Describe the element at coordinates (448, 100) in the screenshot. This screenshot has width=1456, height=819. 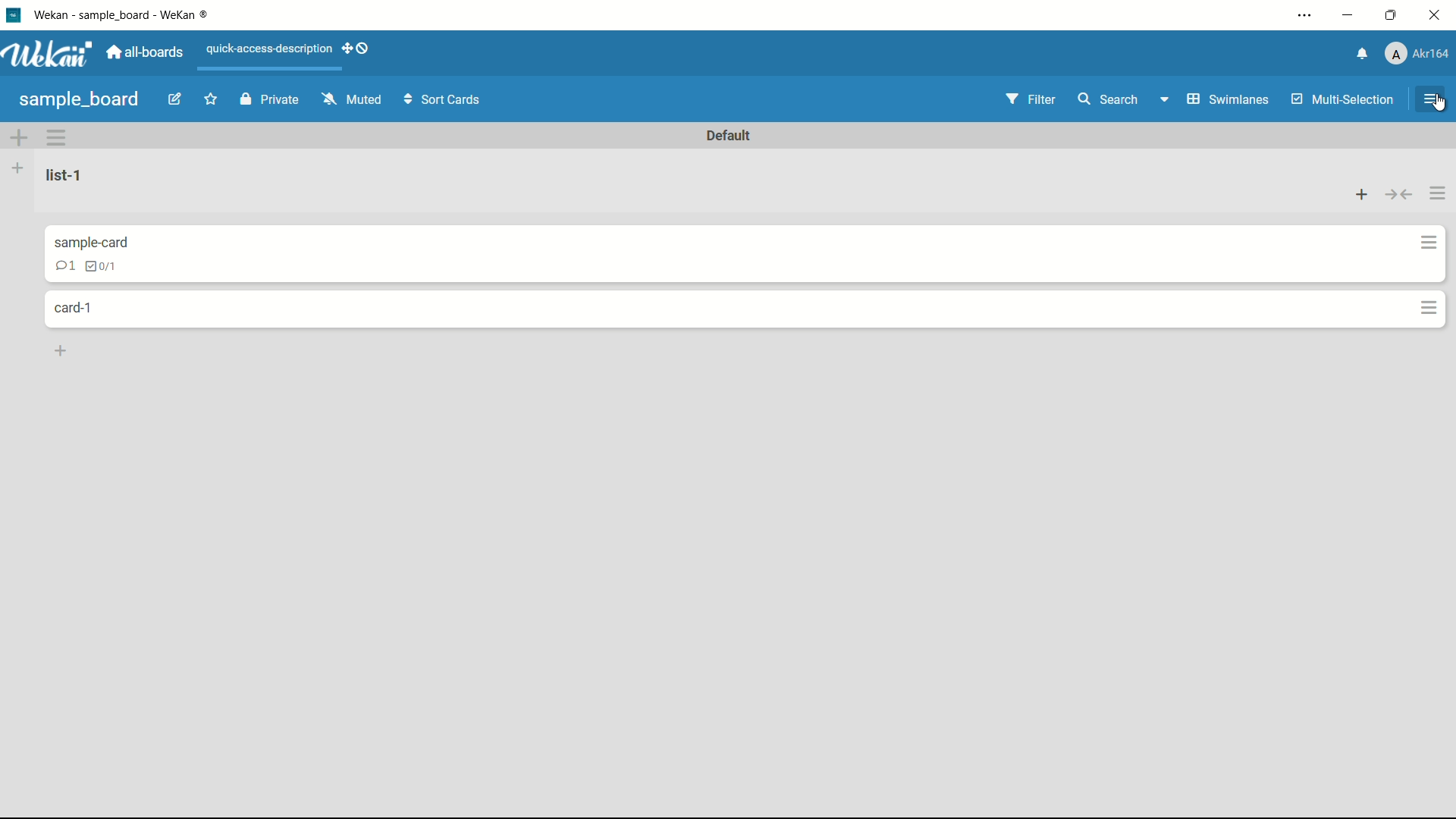
I see `sort cards` at that location.